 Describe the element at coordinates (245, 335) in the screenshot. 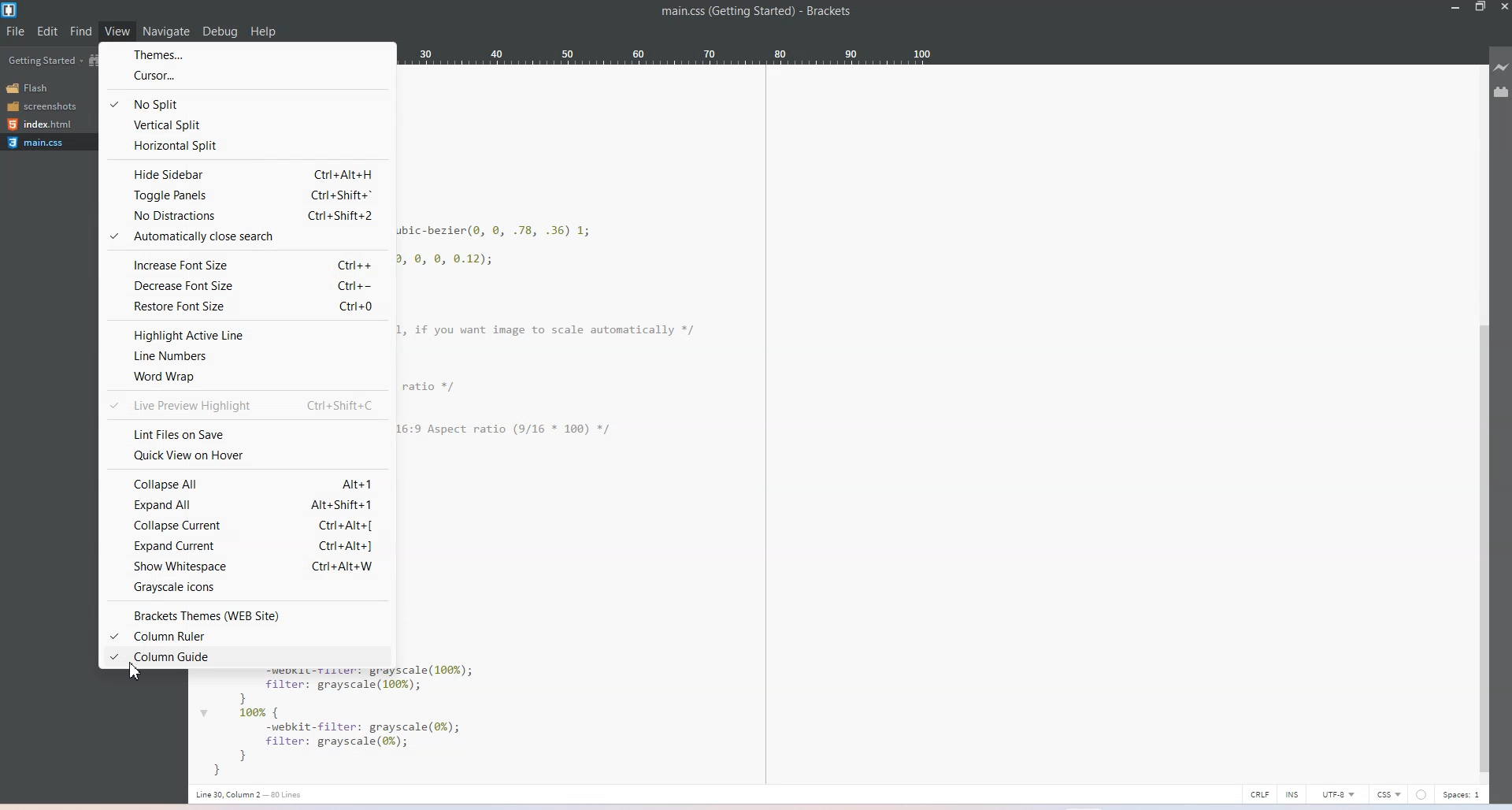

I see `Highlight active Lines` at that location.